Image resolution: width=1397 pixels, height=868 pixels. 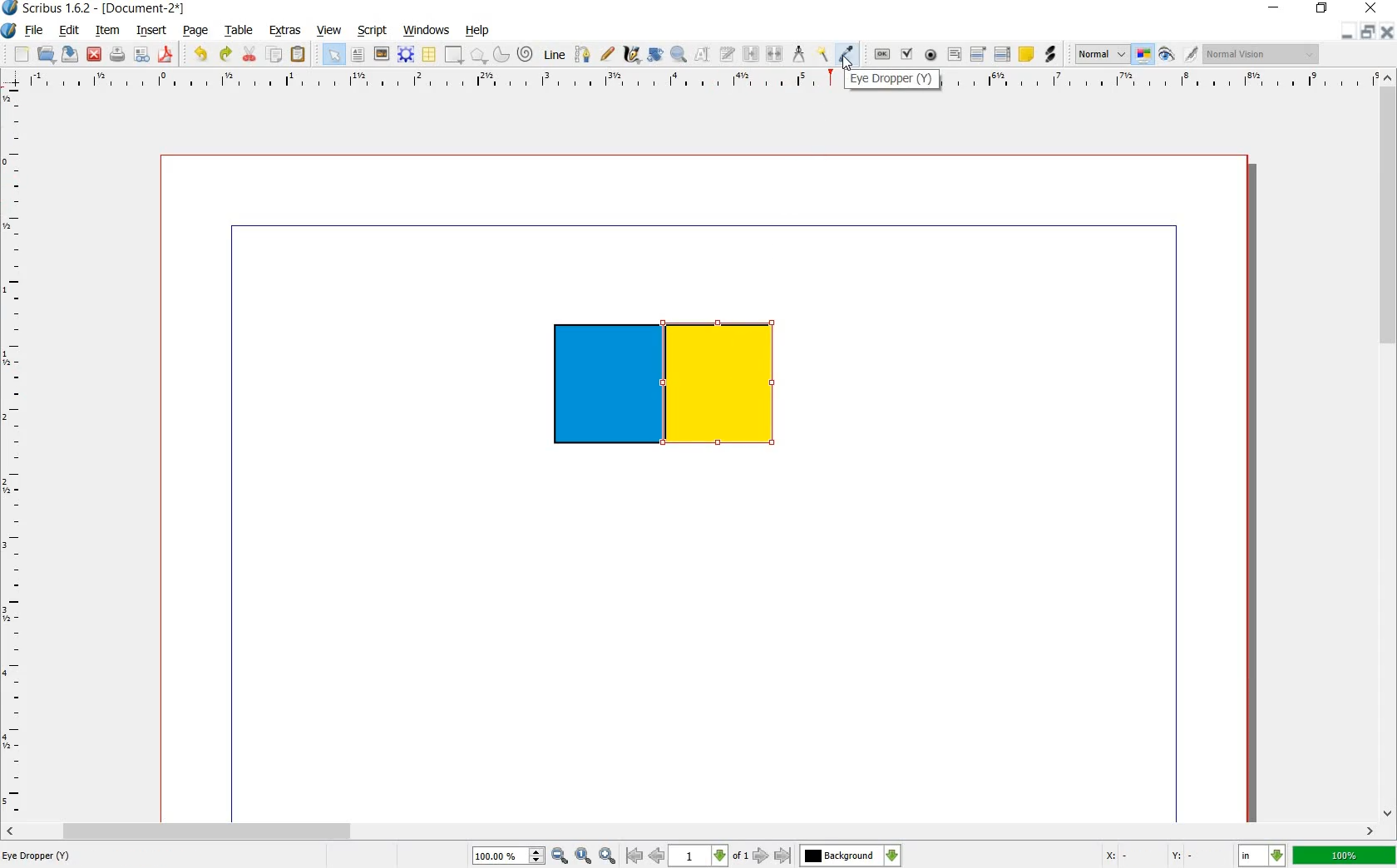 I want to click on pdf list box, so click(x=1002, y=55).